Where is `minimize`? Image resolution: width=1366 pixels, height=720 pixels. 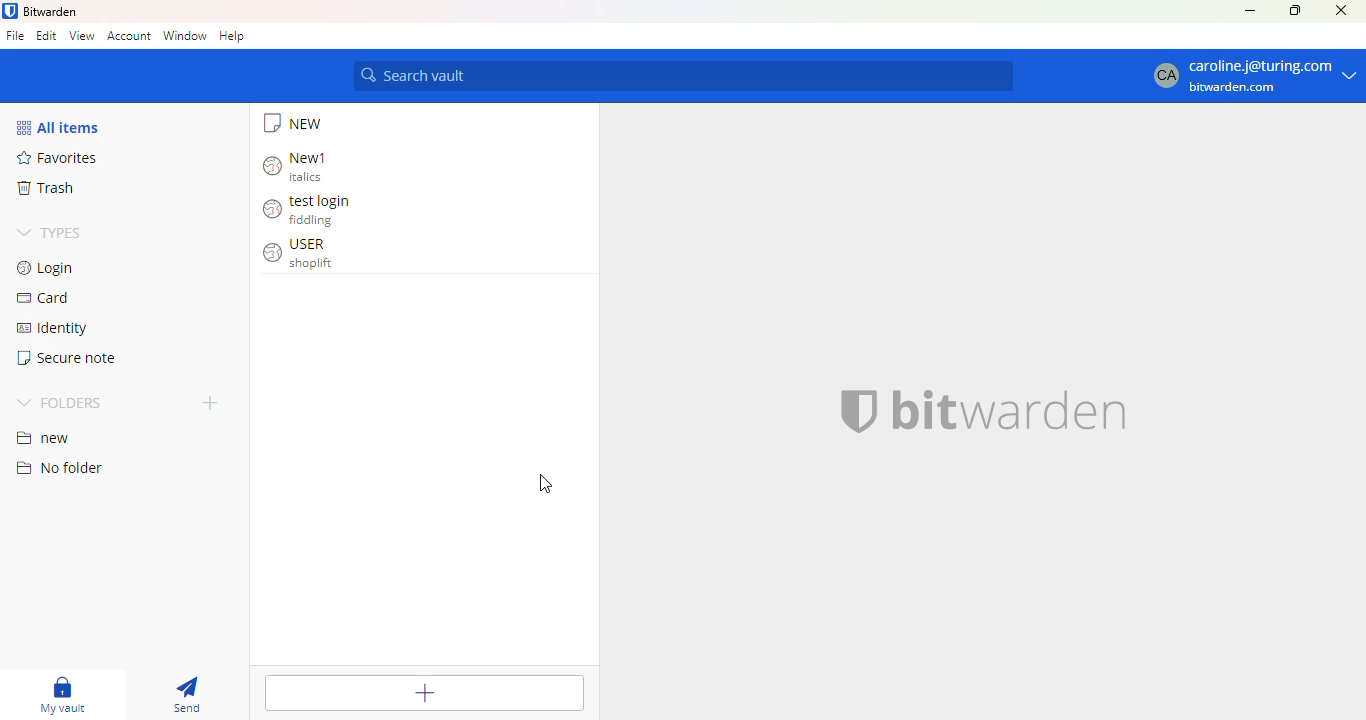
minimize is located at coordinates (1250, 11).